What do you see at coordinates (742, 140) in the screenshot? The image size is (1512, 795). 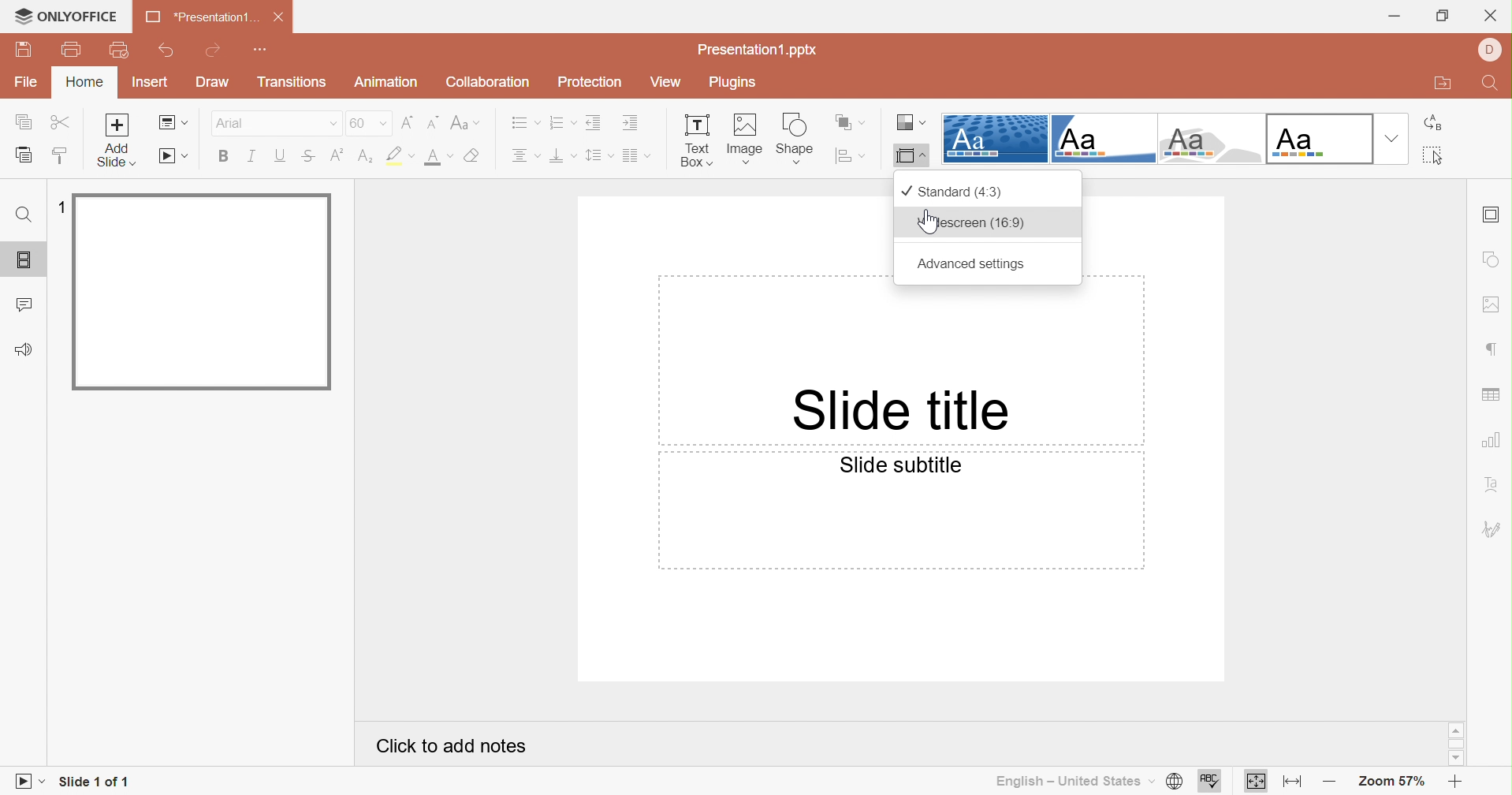 I see `Image` at bounding box center [742, 140].